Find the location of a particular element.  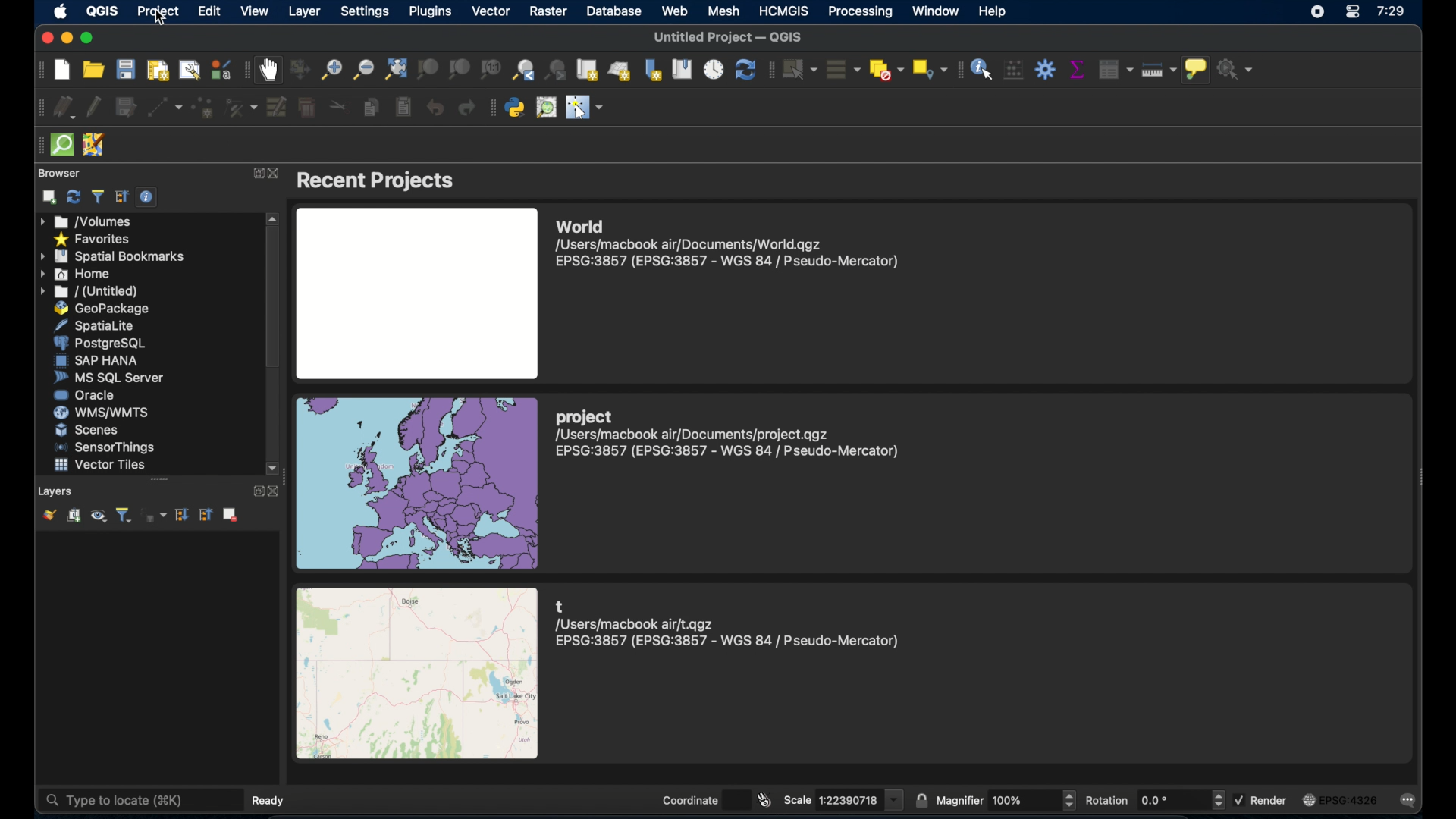

help is located at coordinates (994, 11).